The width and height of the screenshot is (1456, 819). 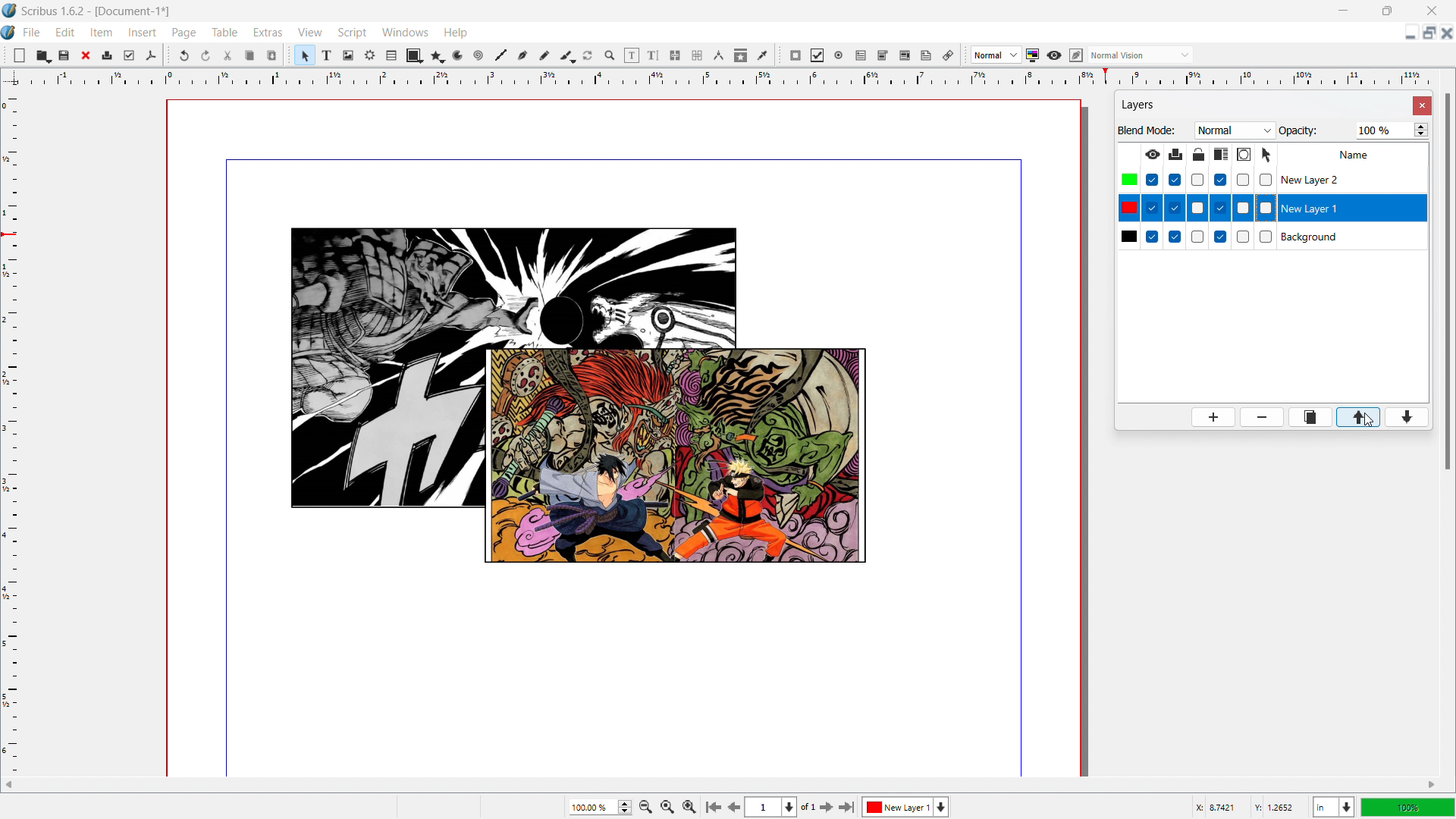 What do you see at coordinates (927, 55) in the screenshot?
I see `text annotation` at bounding box center [927, 55].